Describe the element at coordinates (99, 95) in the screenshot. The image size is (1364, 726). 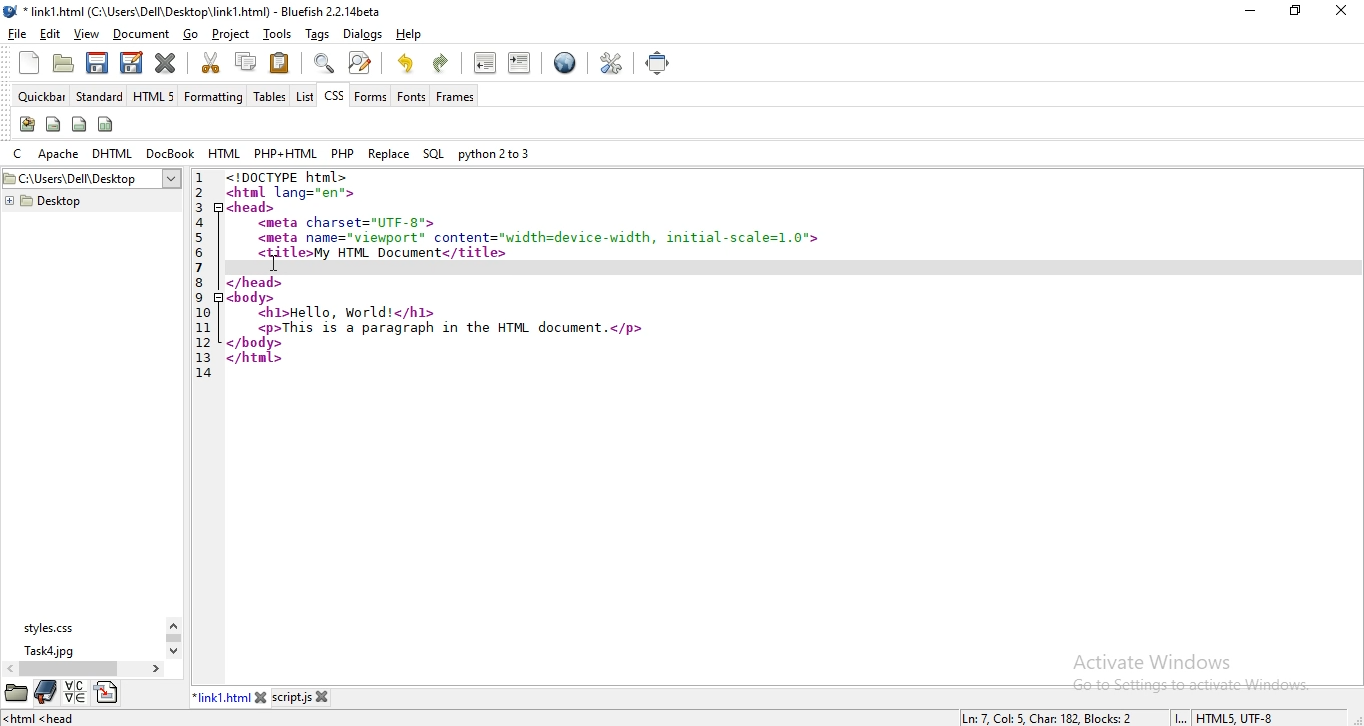
I see `standard` at that location.